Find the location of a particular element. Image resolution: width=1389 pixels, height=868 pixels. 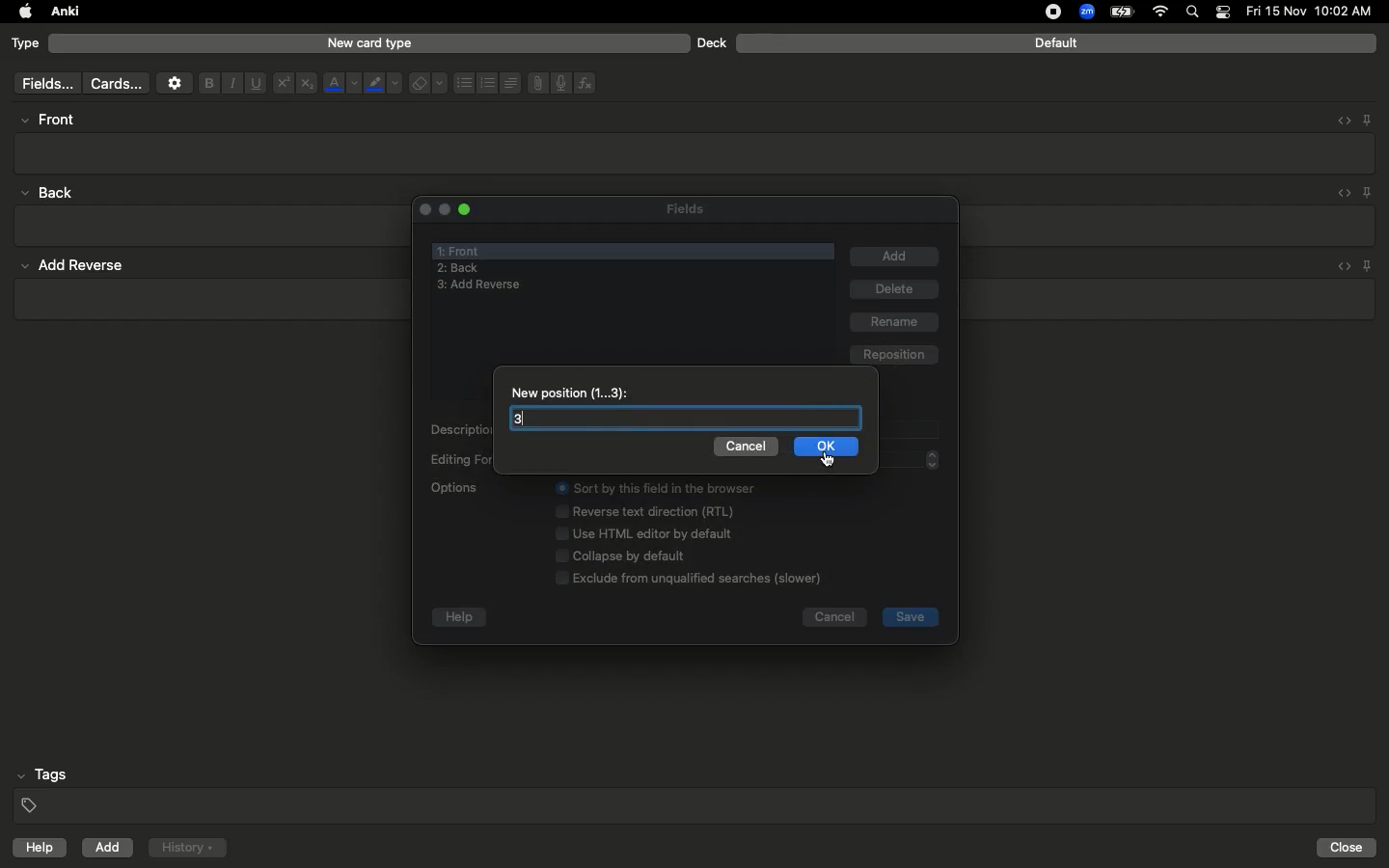

Font color is located at coordinates (340, 83).